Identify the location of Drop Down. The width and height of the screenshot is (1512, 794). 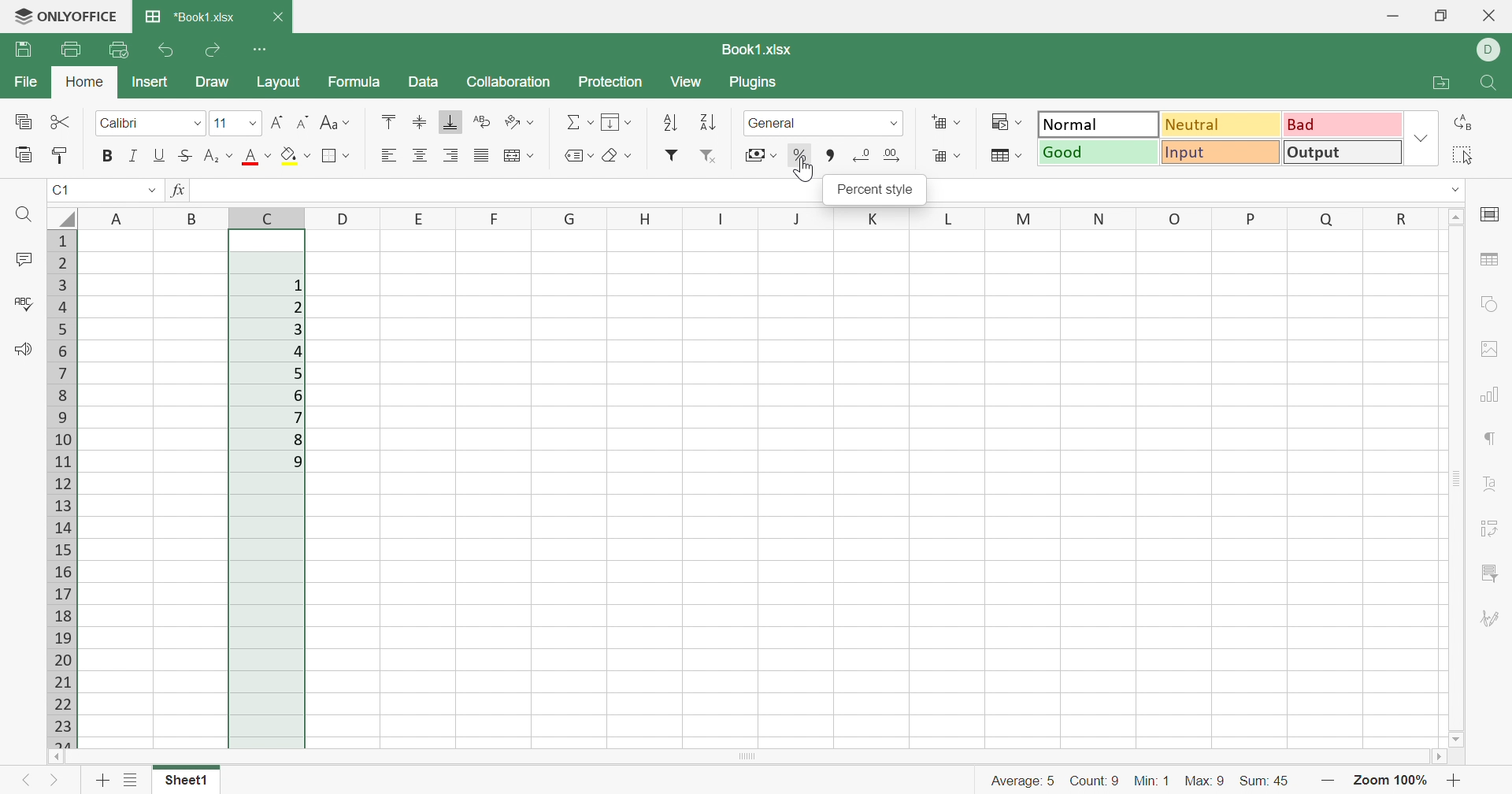
(254, 126).